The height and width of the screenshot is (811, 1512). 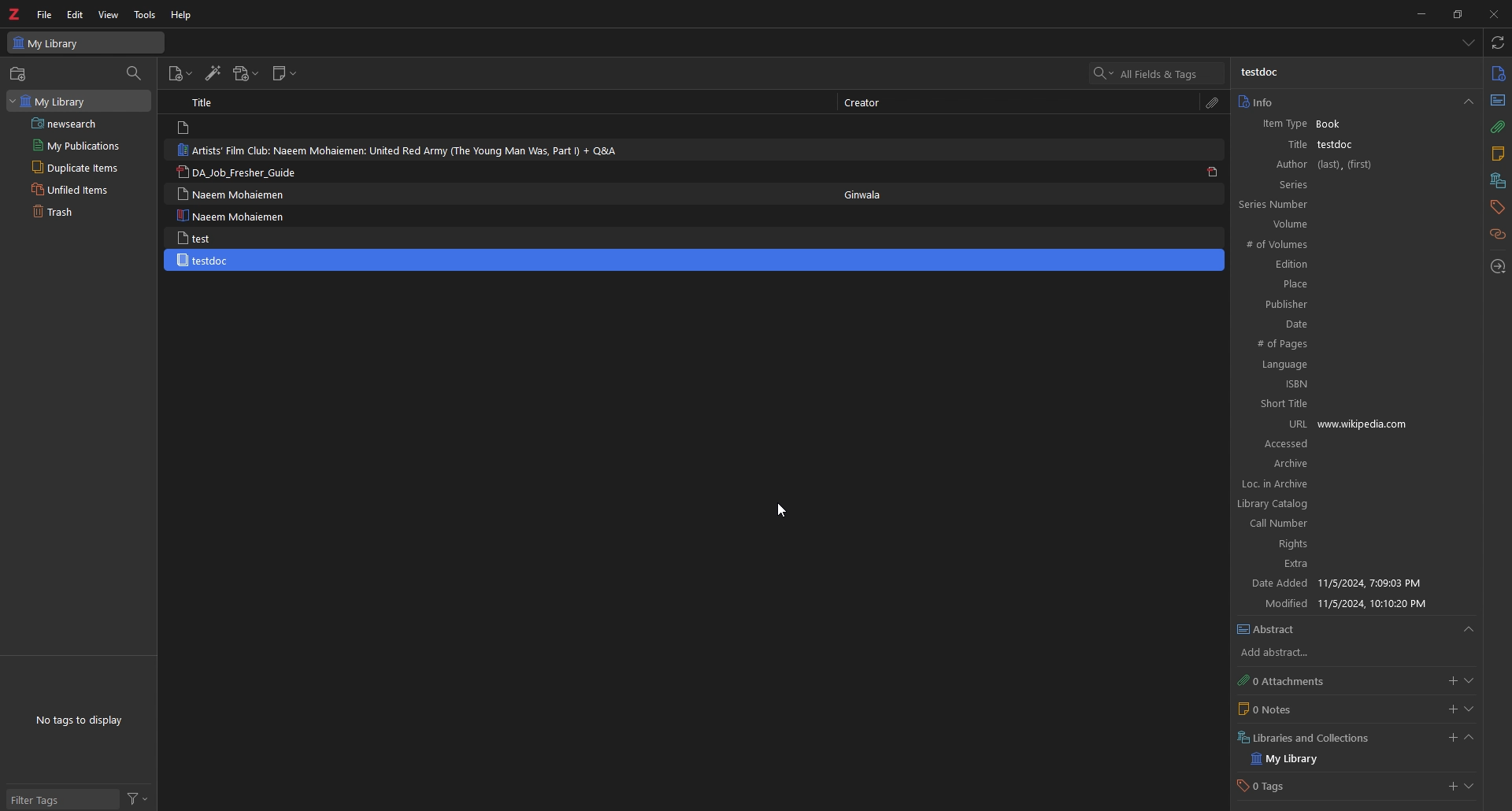 I want to click on tags, so click(x=1497, y=207).